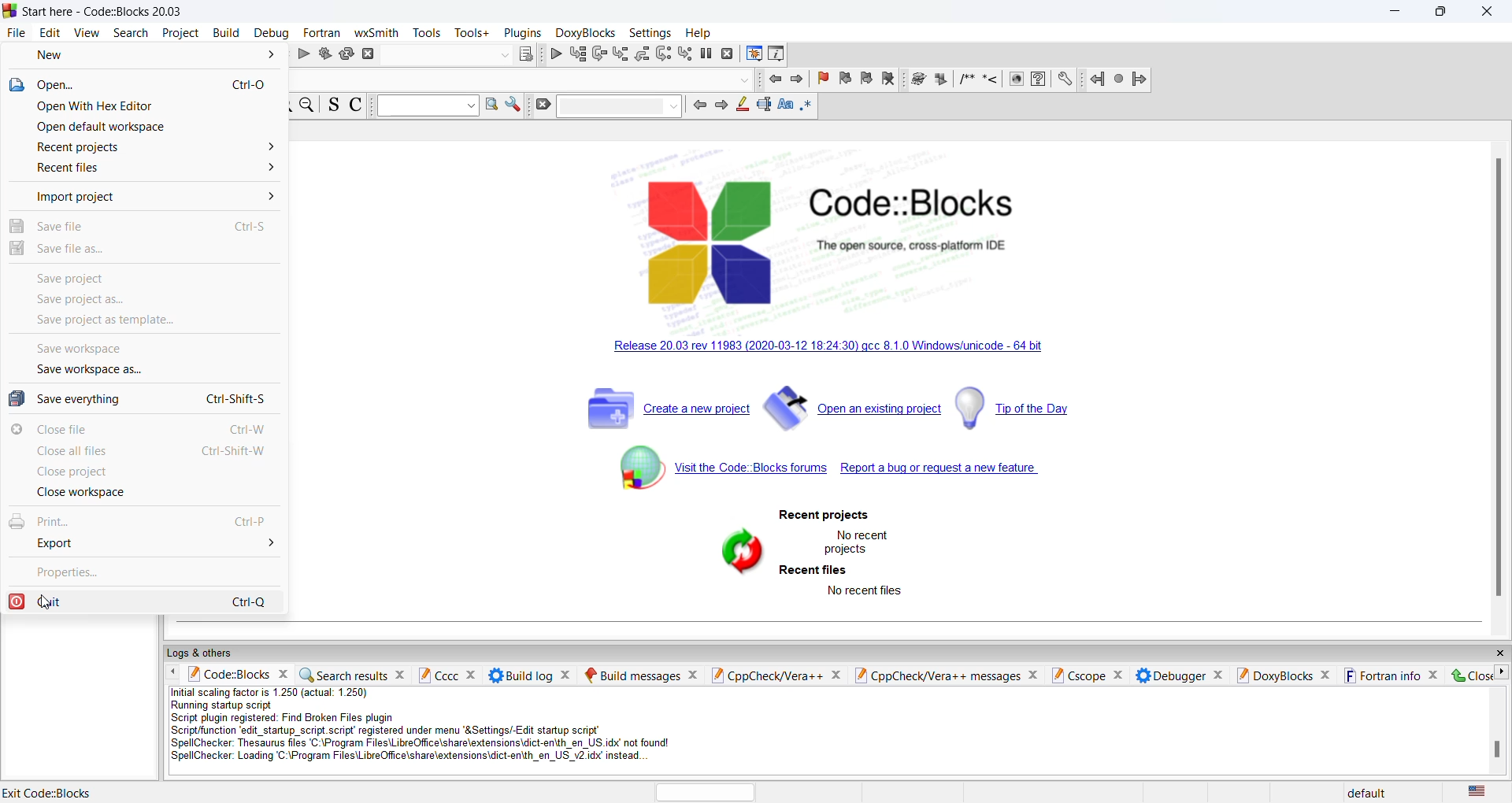 The width and height of the screenshot is (1512, 803). Describe the element at coordinates (55, 605) in the screenshot. I see `cursor` at that location.